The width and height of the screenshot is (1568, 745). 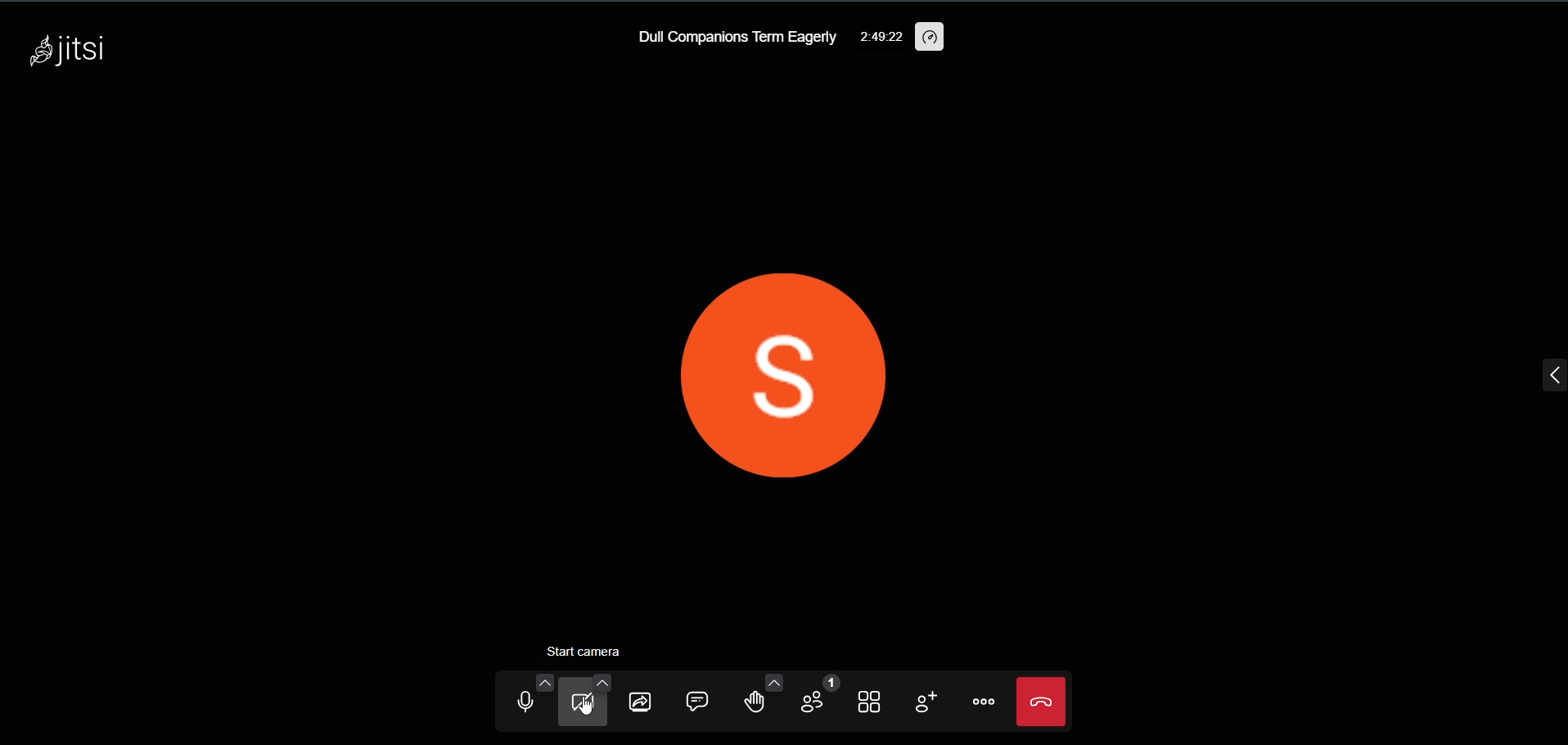 What do you see at coordinates (585, 648) in the screenshot?
I see `stop camera` at bounding box center [585, 648].